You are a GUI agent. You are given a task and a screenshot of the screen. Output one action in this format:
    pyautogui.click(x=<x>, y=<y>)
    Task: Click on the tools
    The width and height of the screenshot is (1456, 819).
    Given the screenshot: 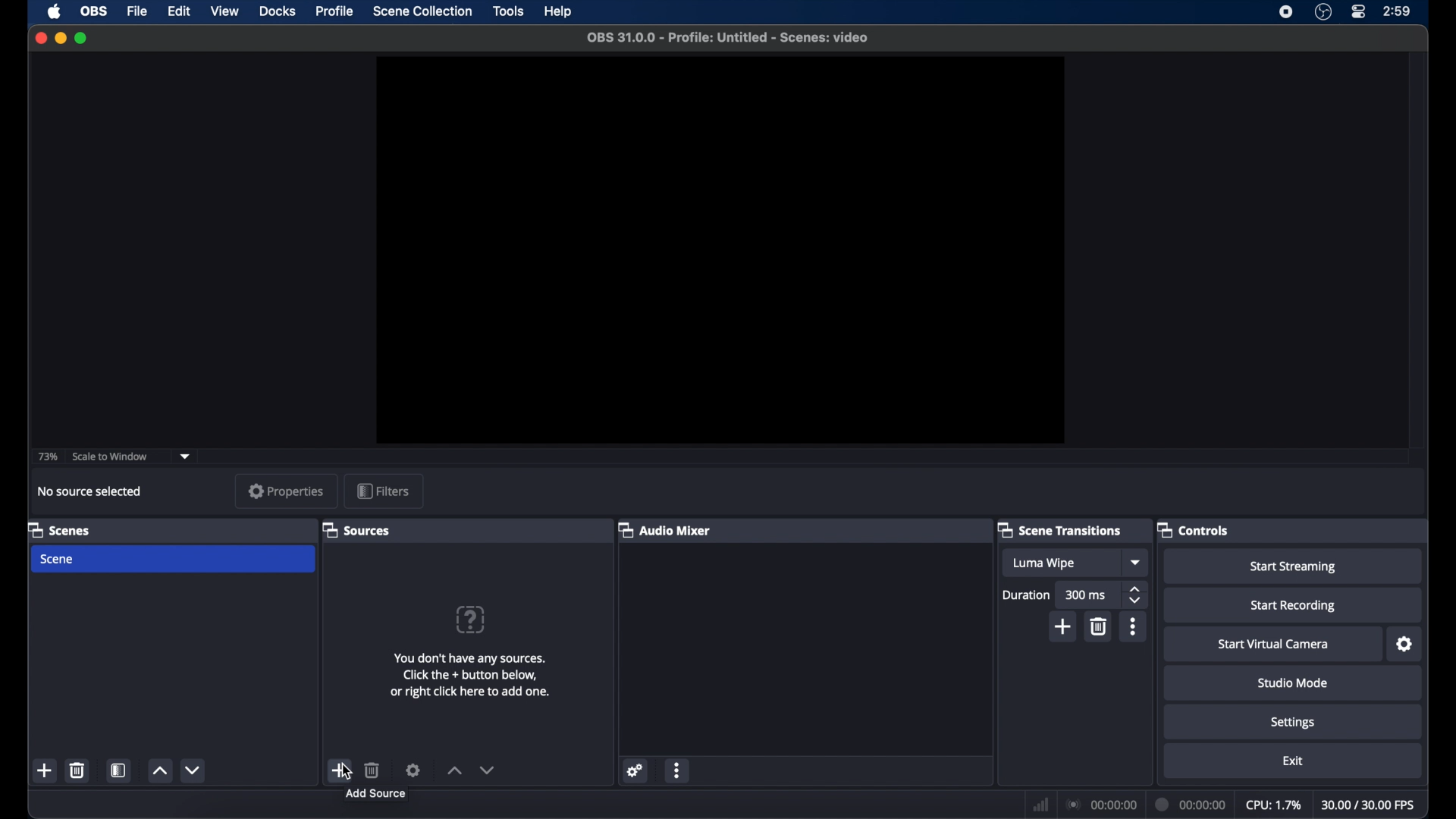 What is the action you would take?
    pyautogui.click(x=509, y=11)
    